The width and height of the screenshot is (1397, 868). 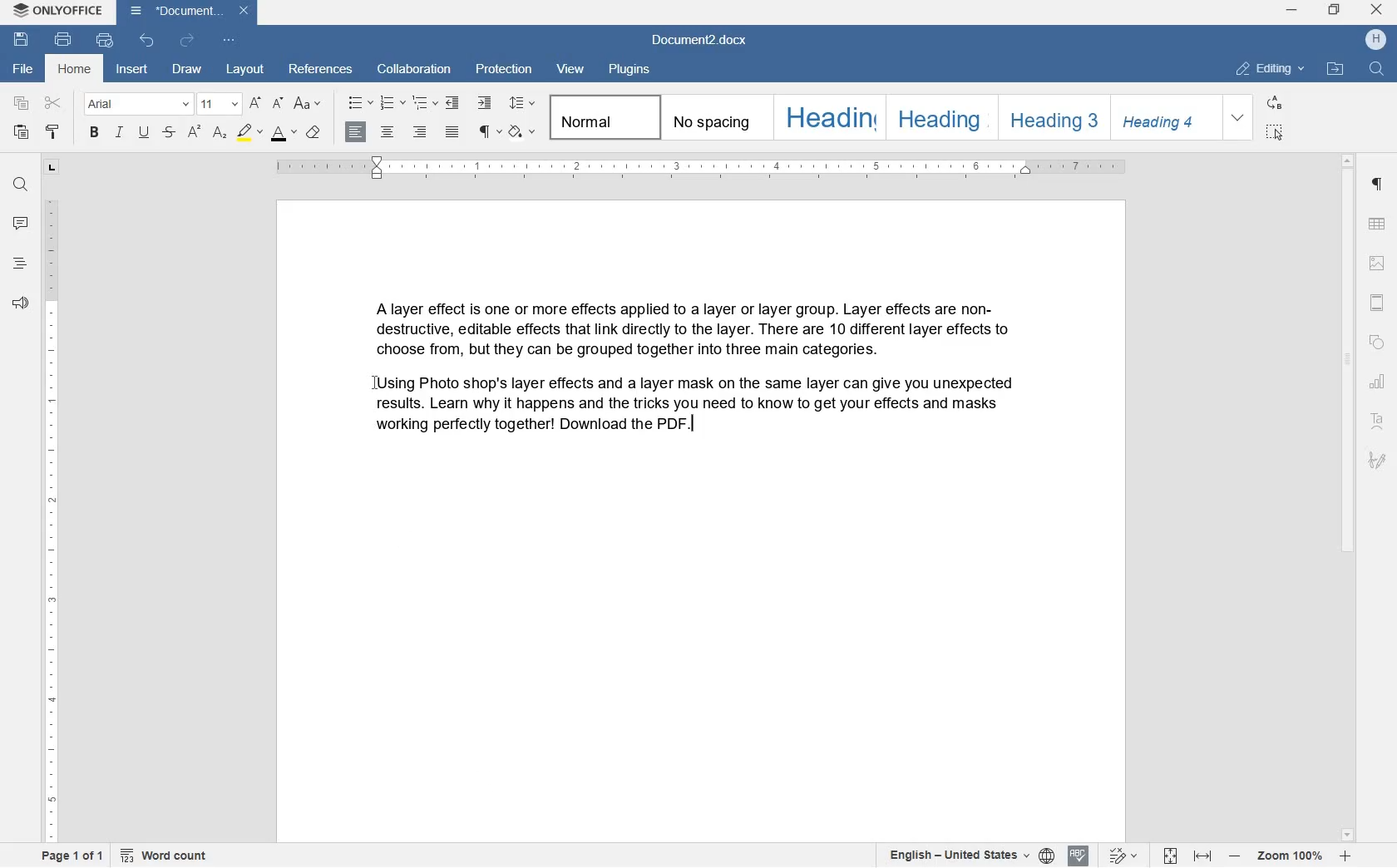 I want to click on HEADING 1, so click(x=827, y=118).